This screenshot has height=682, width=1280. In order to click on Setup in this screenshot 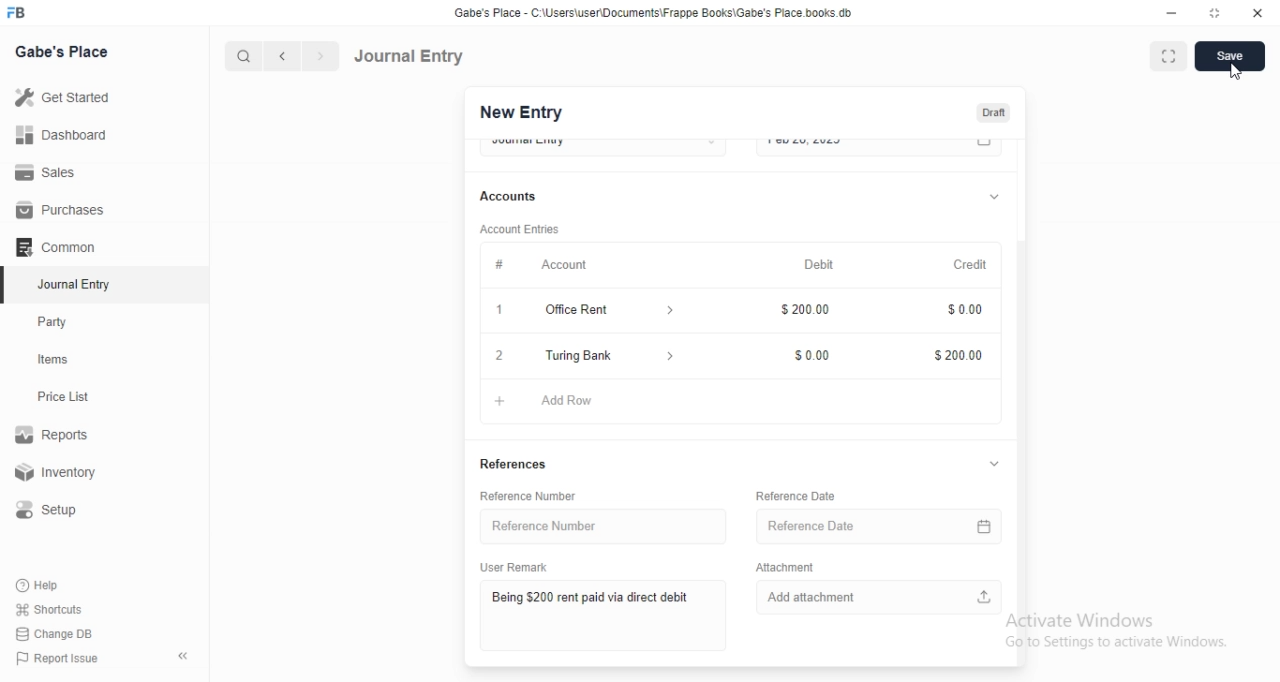, I will do `click(54, 510)`.